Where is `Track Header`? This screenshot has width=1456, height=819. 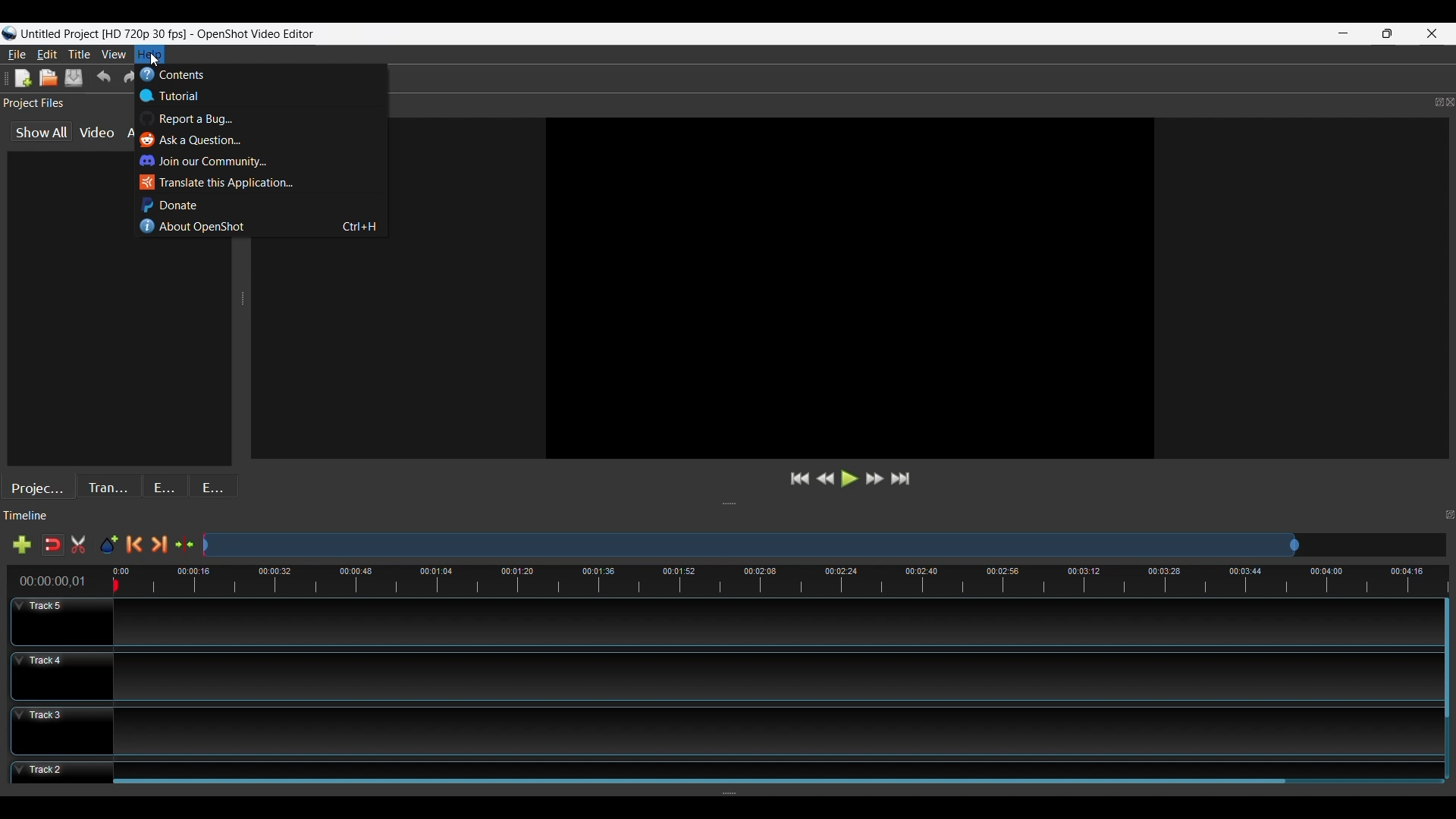
Track Header is located at coordinates (61, 731).